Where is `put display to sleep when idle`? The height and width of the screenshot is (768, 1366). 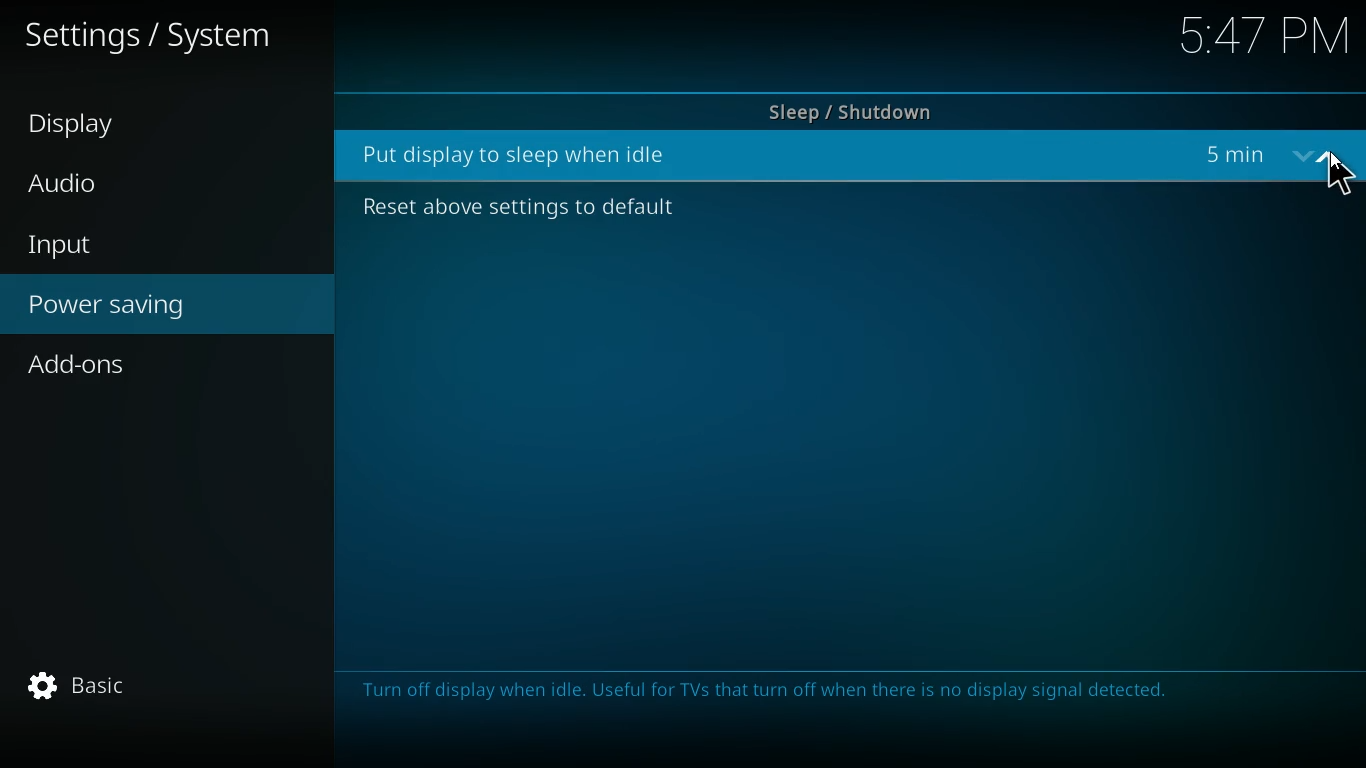
put display to sleep when idle is located at coordinates (524, 154).